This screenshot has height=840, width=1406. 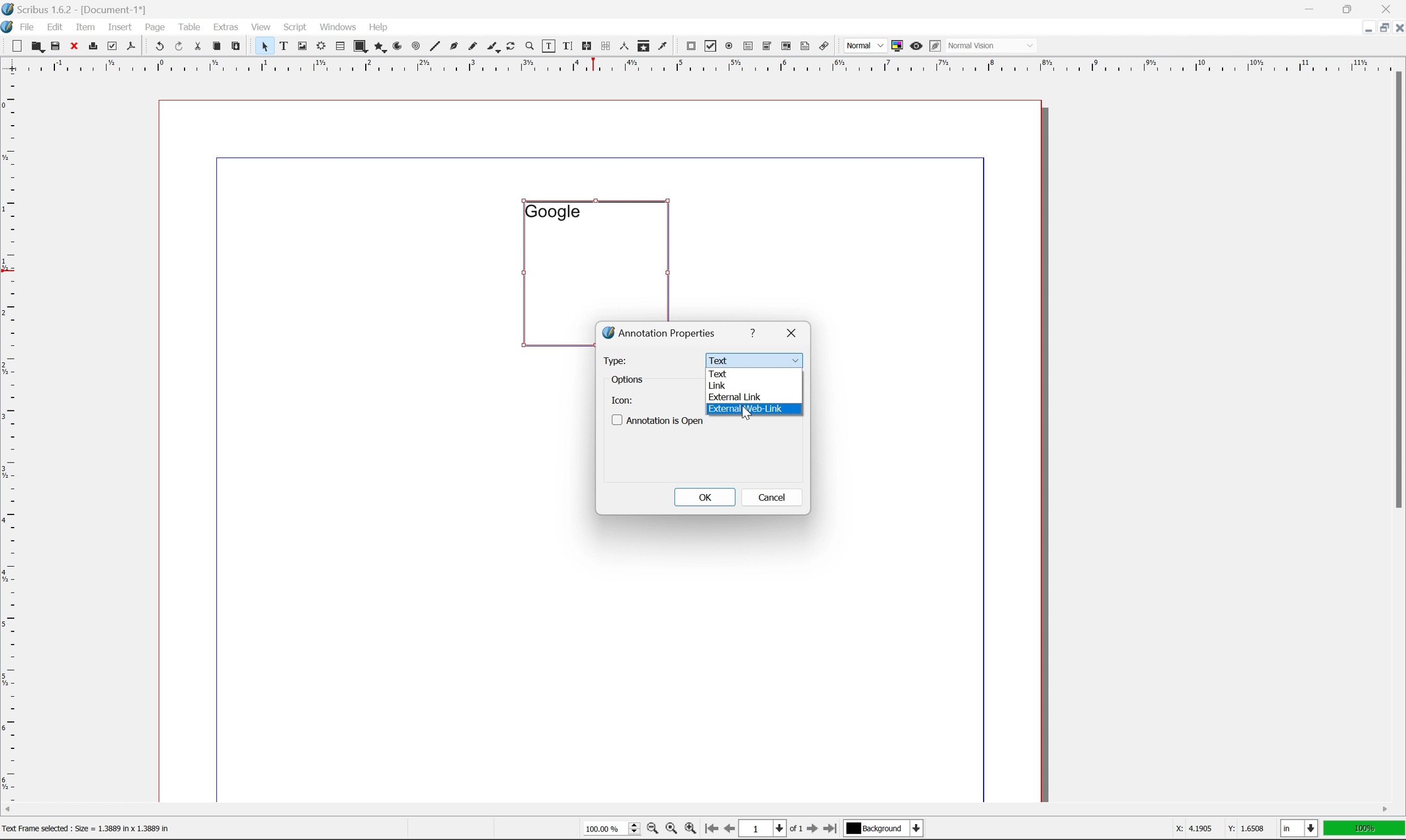 I want to click on go to last page, so click(x=830, y=829).